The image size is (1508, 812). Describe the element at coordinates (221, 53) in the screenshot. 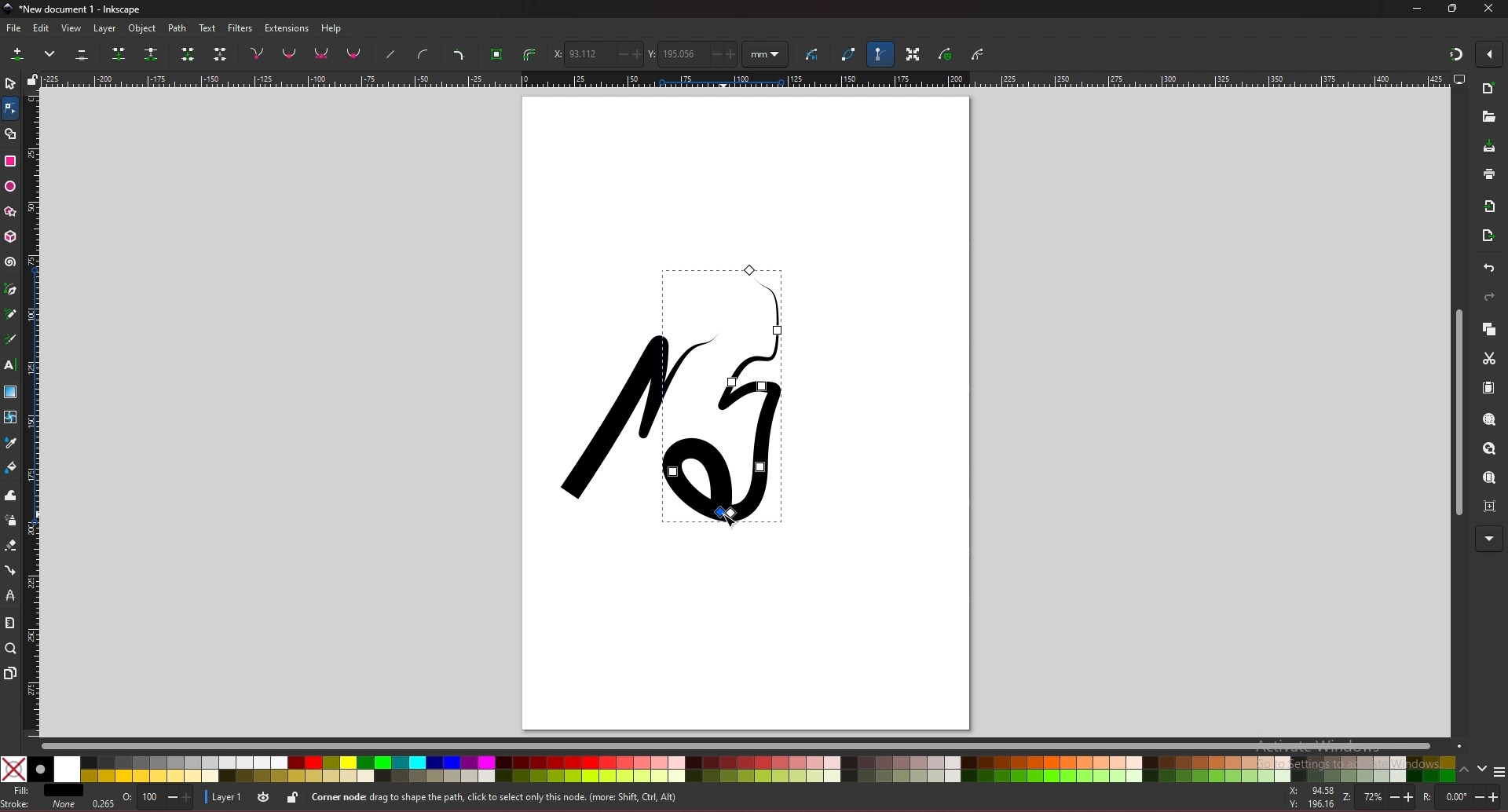

I see `delete segment` at that location.